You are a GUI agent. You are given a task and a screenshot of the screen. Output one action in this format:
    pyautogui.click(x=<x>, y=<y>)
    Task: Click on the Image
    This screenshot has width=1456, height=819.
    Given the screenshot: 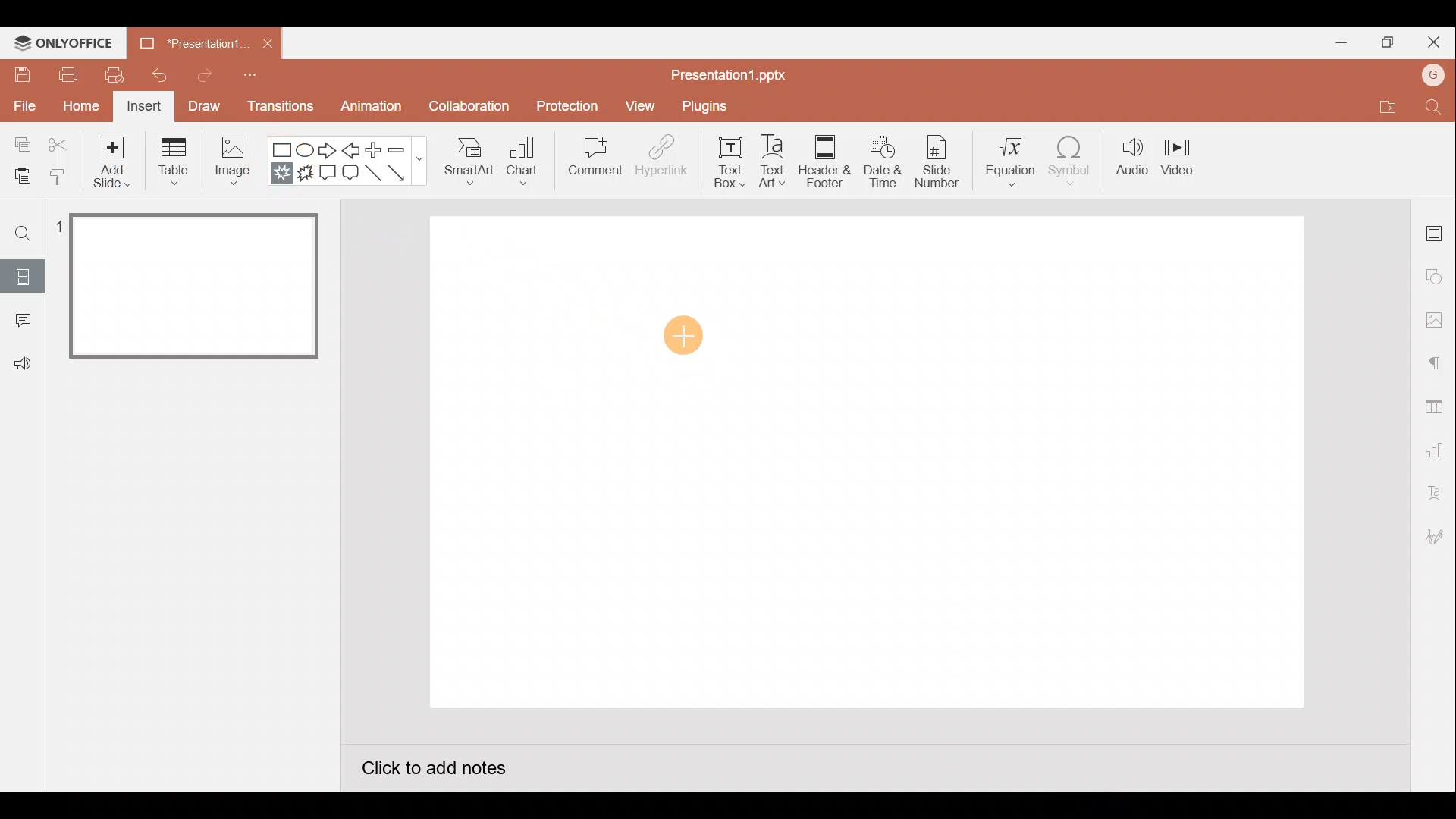 What is the action you would take?
    pyautogui.click(x=237, y=162)
    